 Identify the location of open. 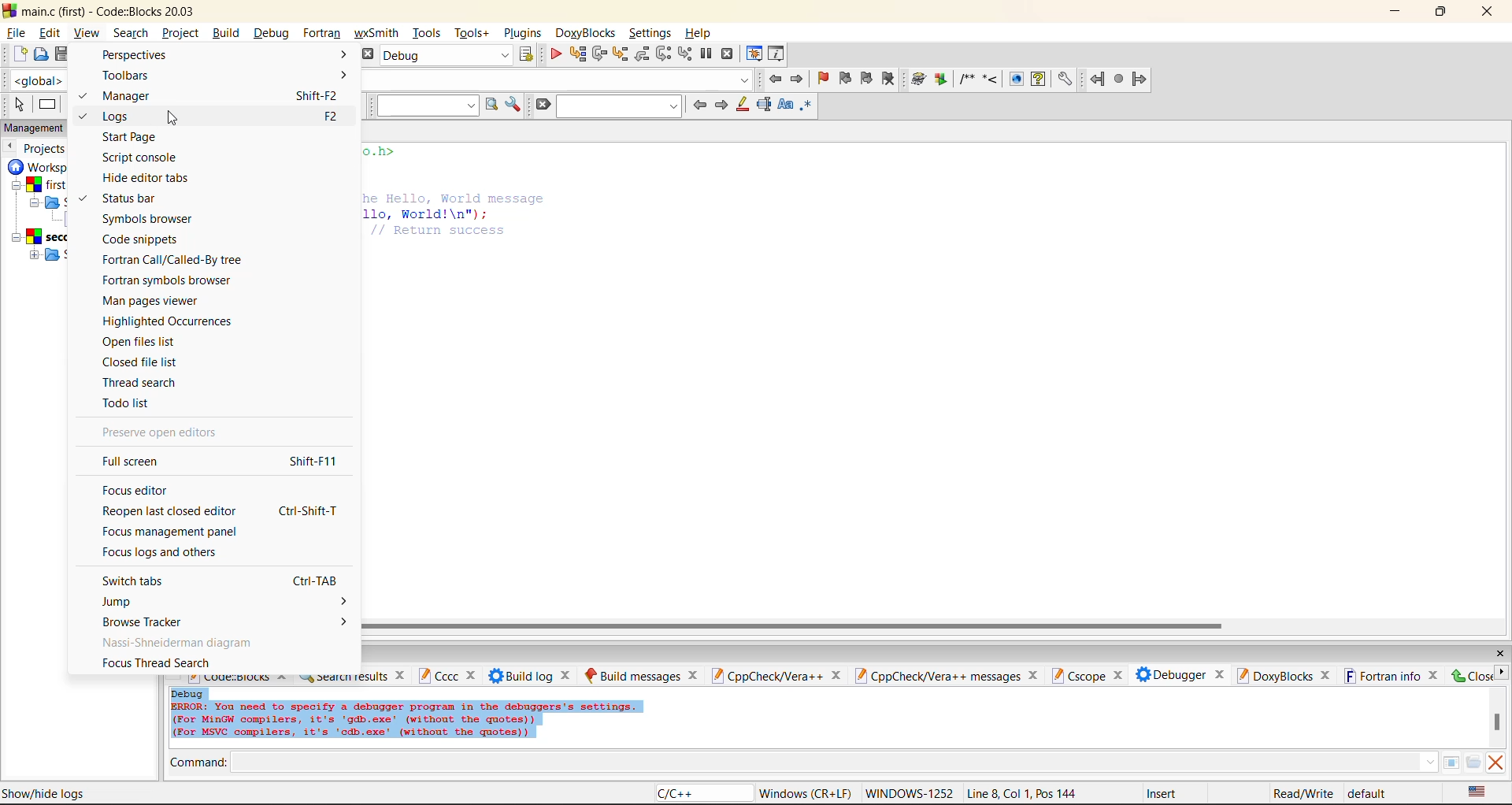
(40, 57).